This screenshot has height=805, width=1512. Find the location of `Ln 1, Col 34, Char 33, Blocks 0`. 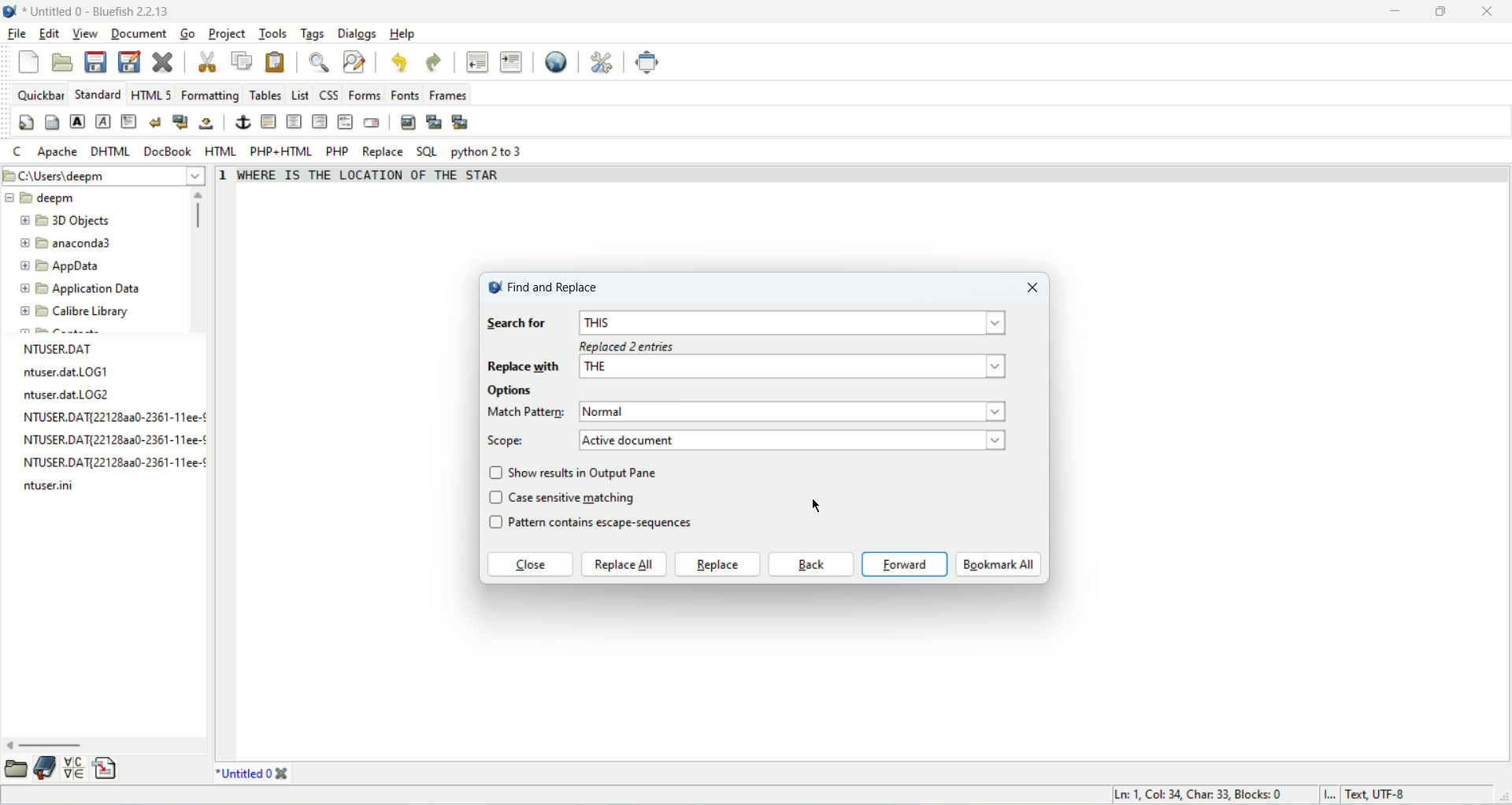

Ln 1, Col 34, Char 33, Blocks 0 is located at coordinates (1206, 795).